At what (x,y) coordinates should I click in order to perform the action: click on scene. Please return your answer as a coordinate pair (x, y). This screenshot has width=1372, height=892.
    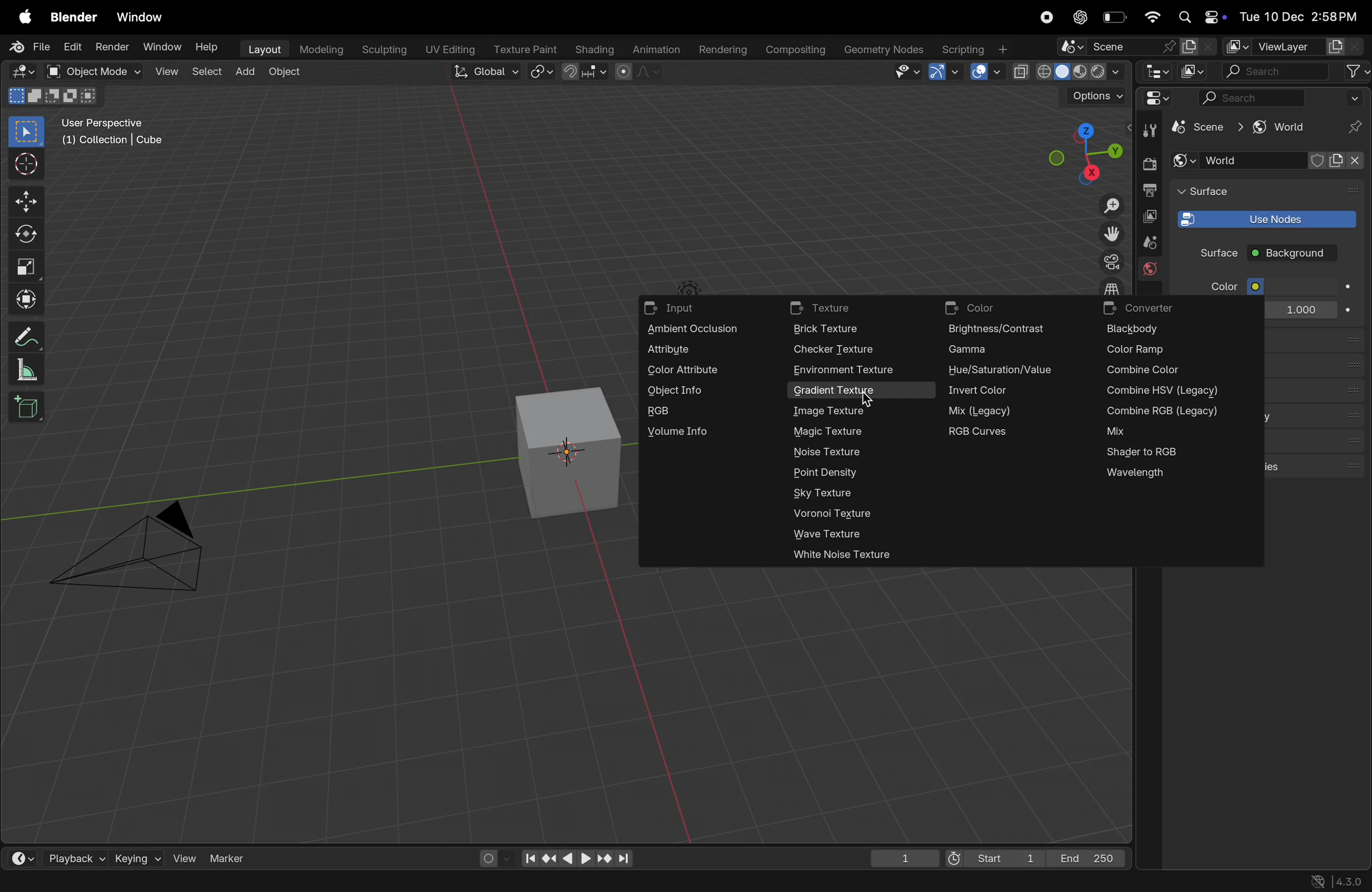
    Looking at the image, I should click on (1203, 128).